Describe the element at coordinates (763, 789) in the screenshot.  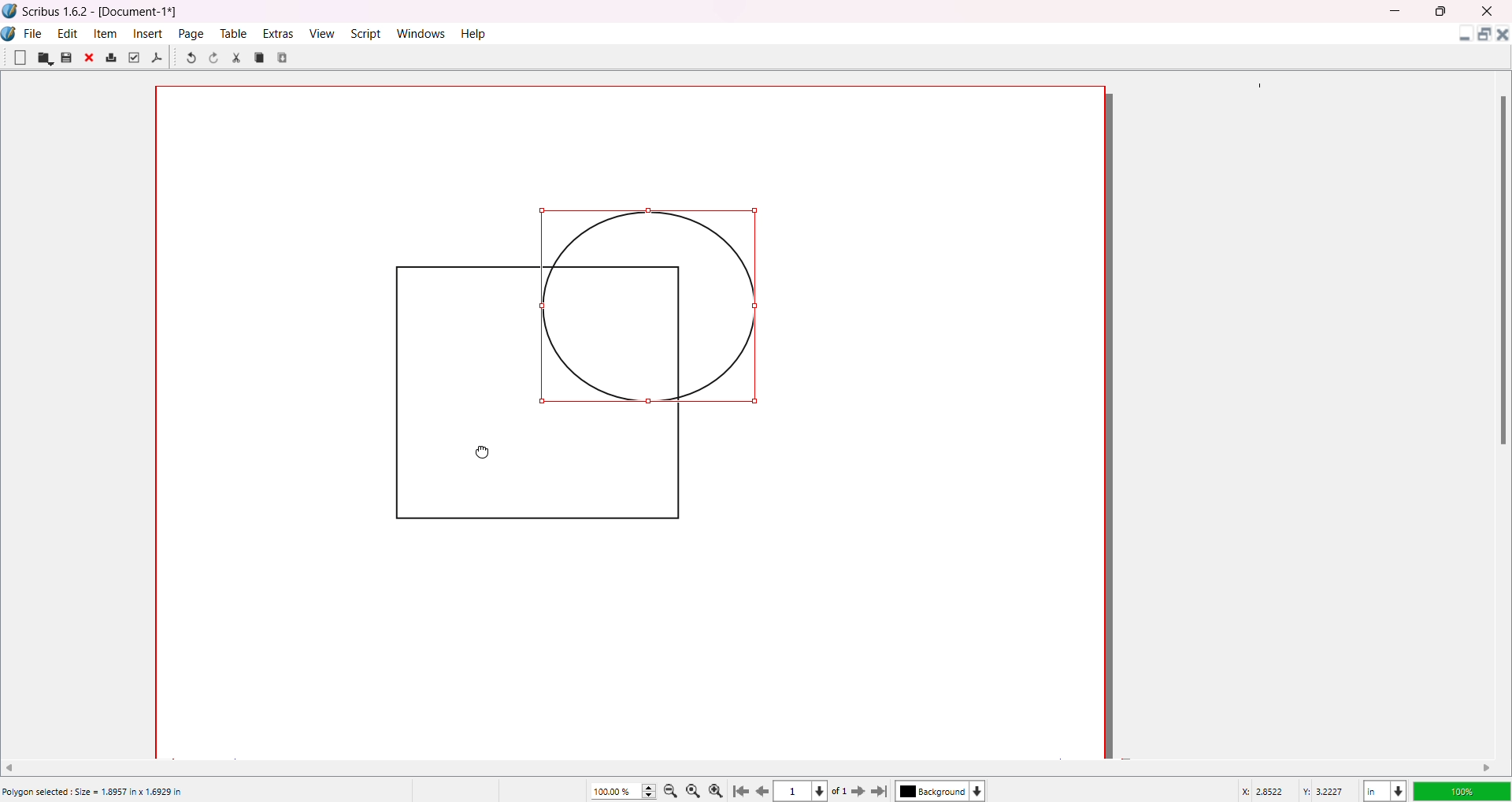
I see `Previous` at that location.